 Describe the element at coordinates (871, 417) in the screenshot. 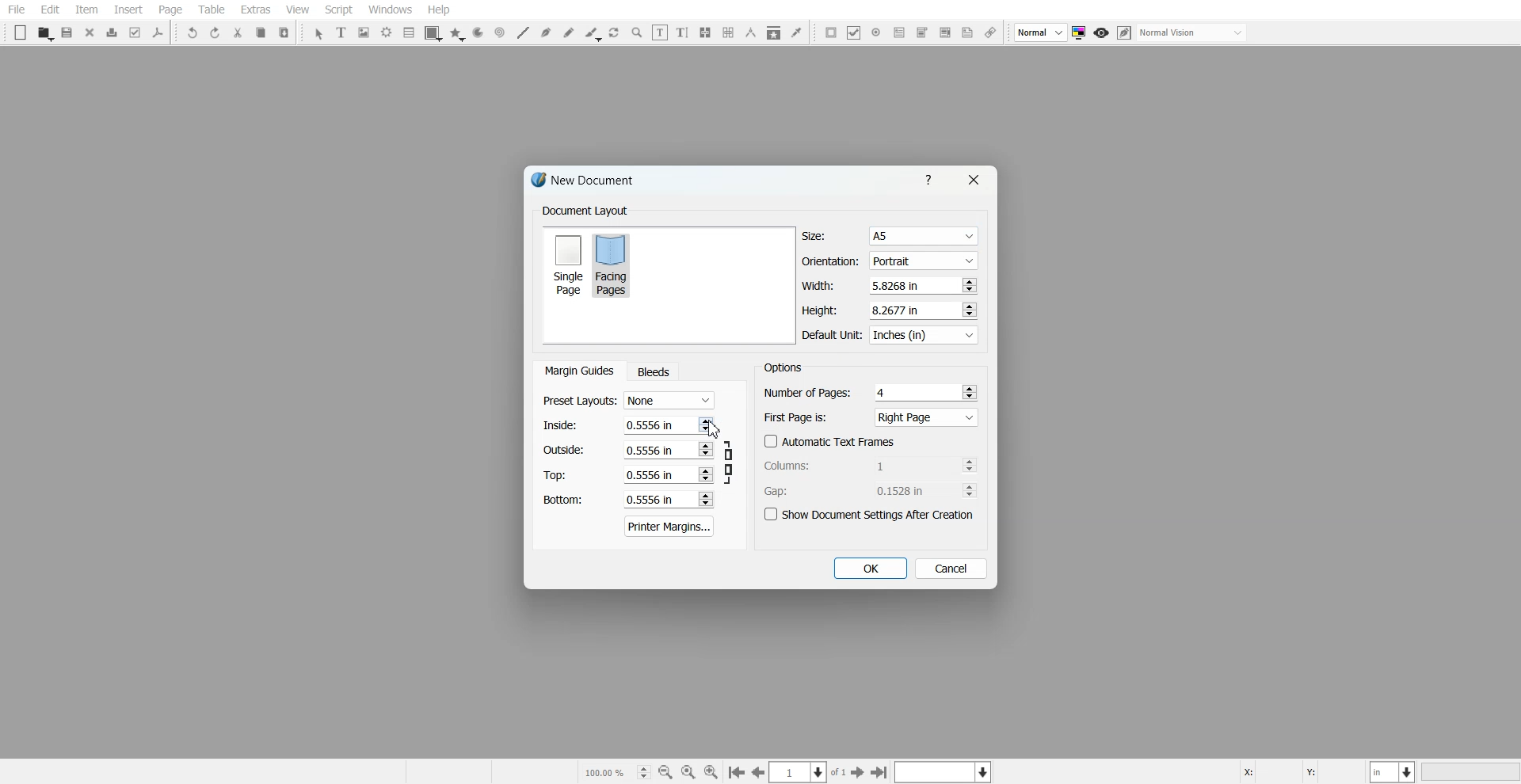

I see `First Page is` at that location.